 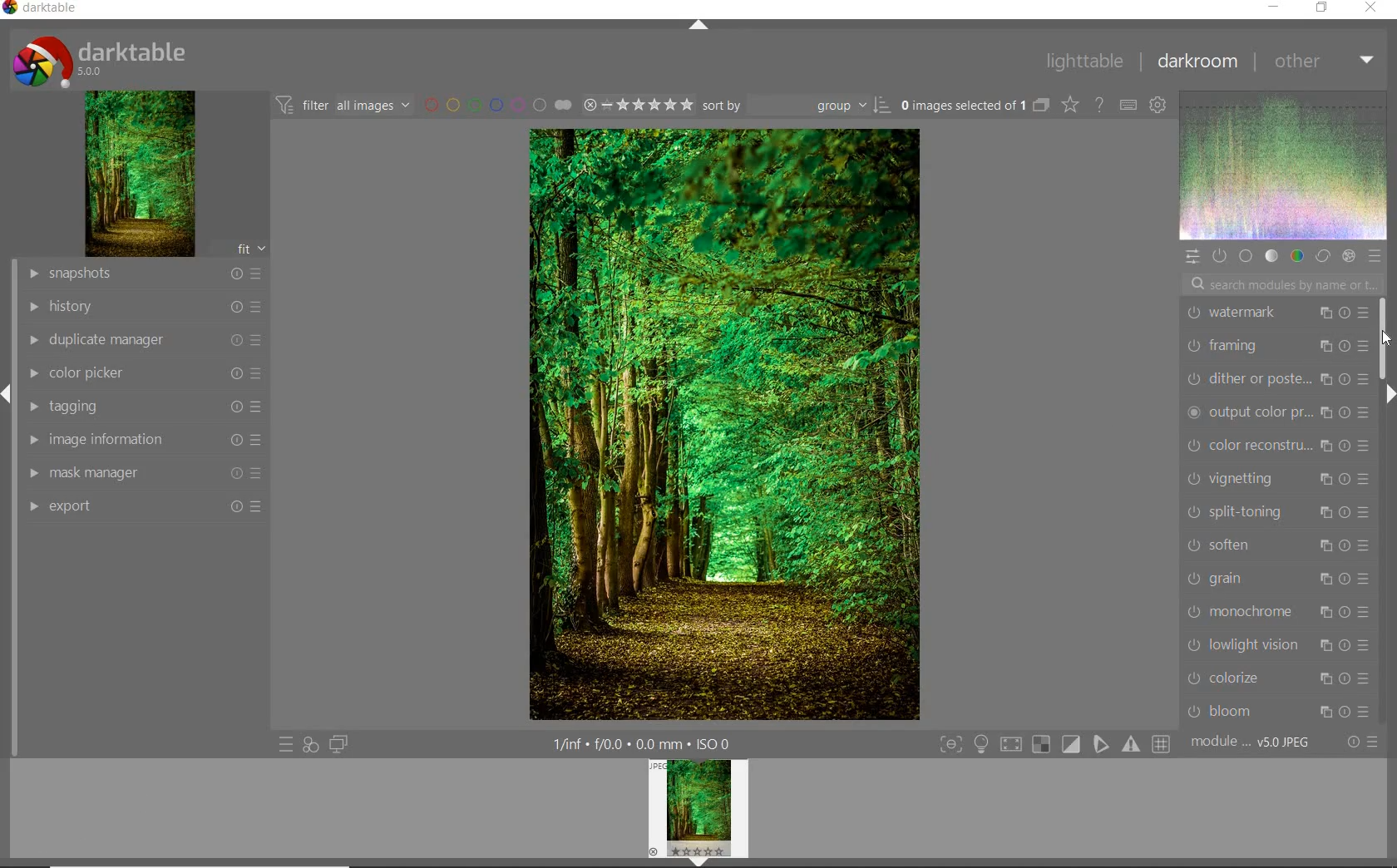 I want to click on MASK MANAGER, so click(x=141, y=475).